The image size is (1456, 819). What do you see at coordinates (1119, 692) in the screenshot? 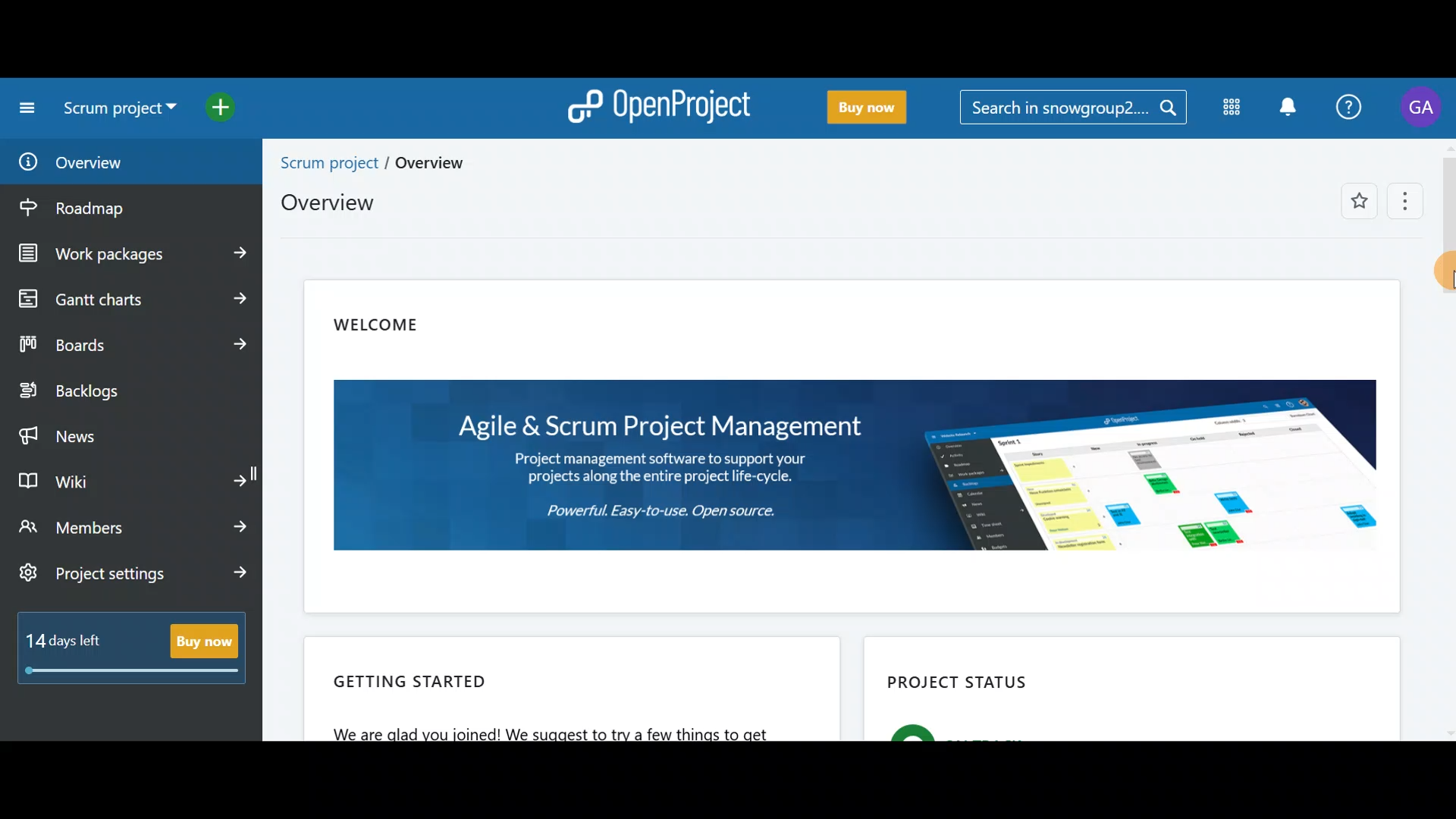
I see `Project status` at bounding box center [1119, 692].